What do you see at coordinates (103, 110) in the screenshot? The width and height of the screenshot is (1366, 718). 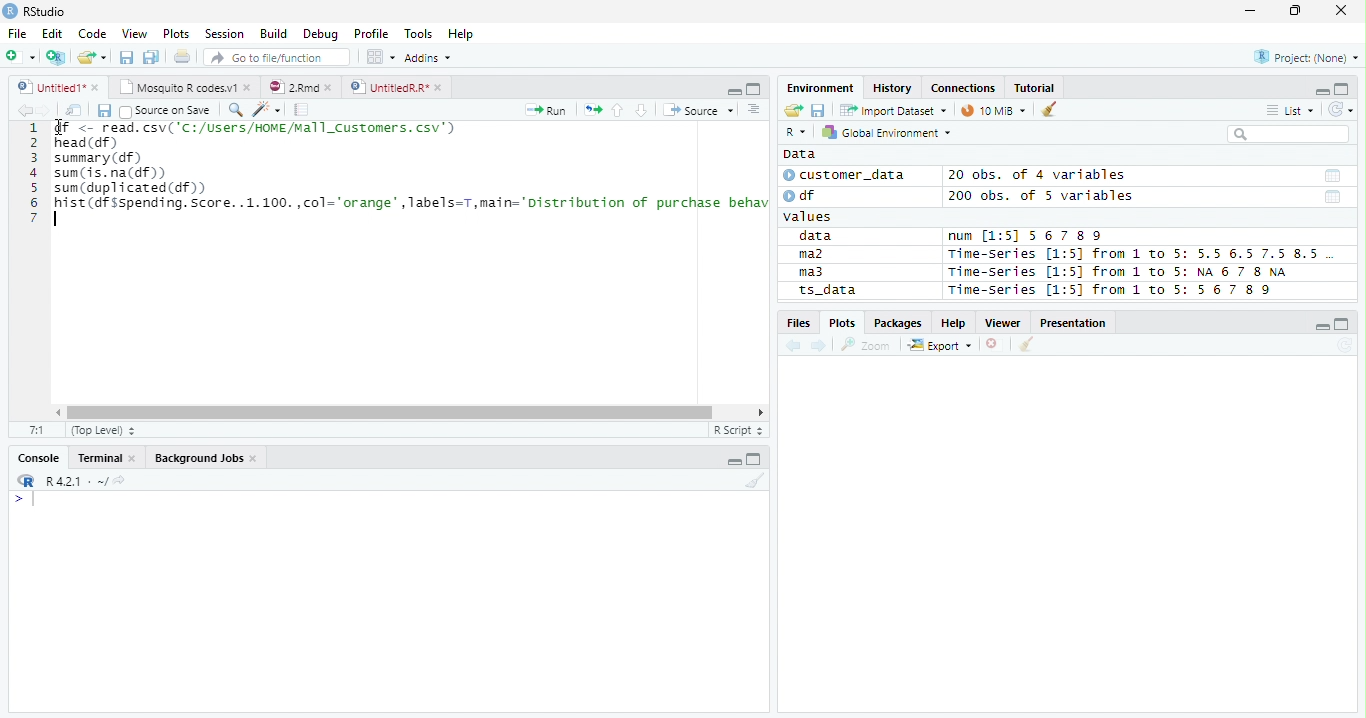 I see `Save` at bounding box center [103, 110].